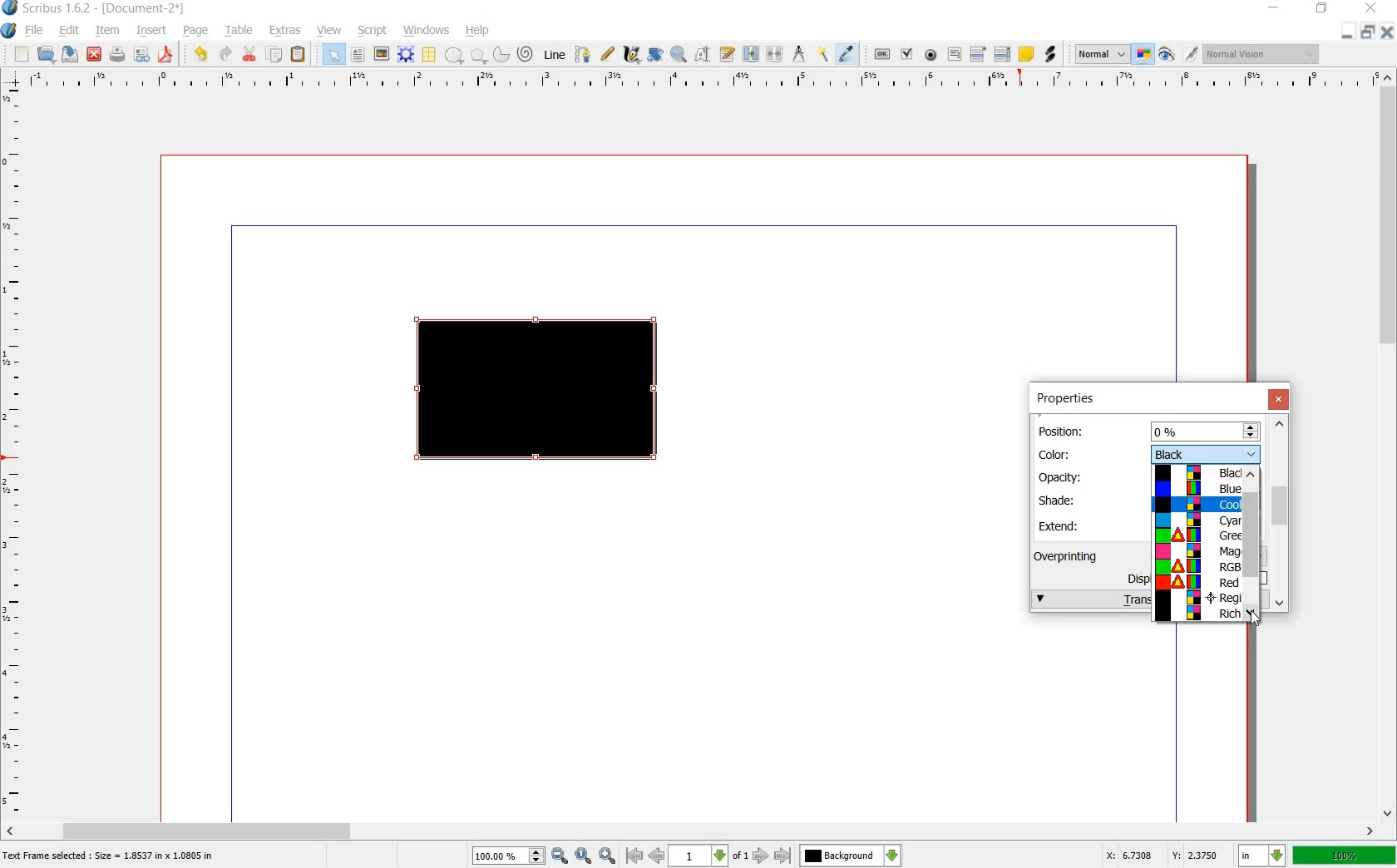 This screenshot has height=868, width=1397. What do you see at coordinates (1062, 525) in the screenshot?
I see `extend` at bounding box center [1062, 525].